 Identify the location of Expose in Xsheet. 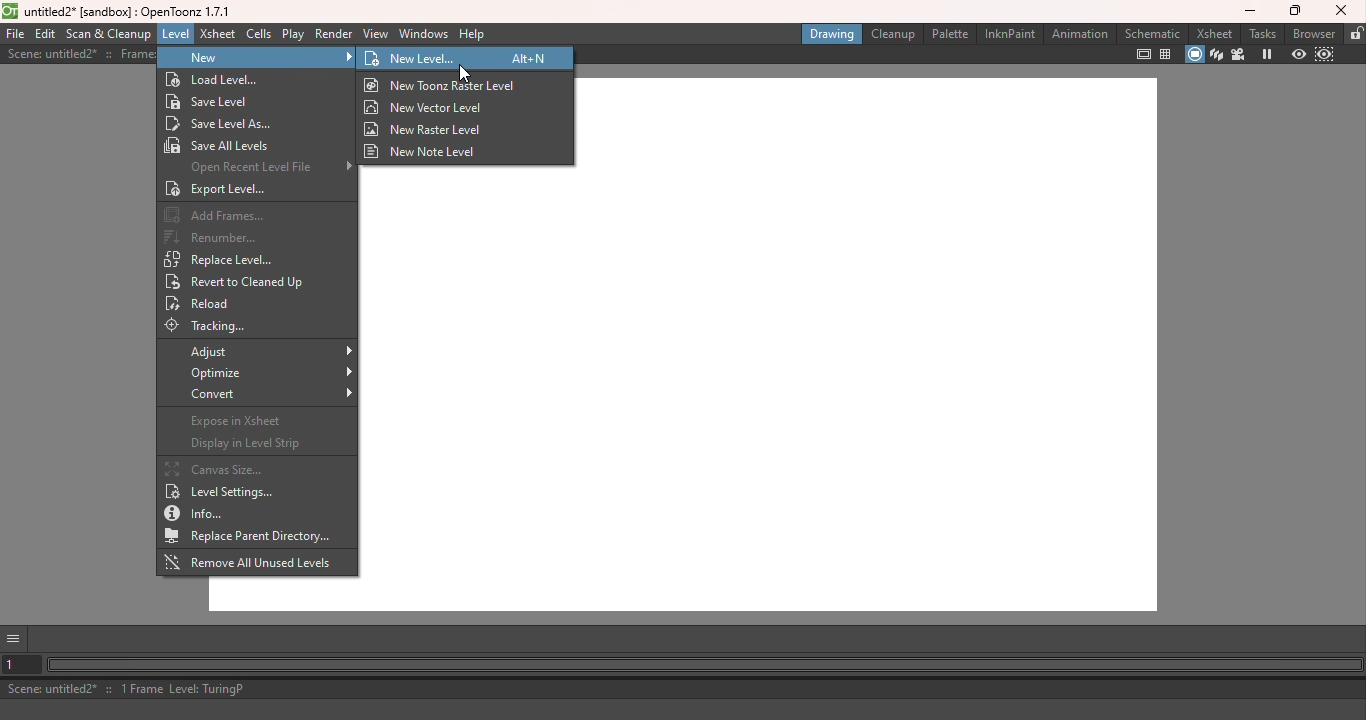
(250, 424).